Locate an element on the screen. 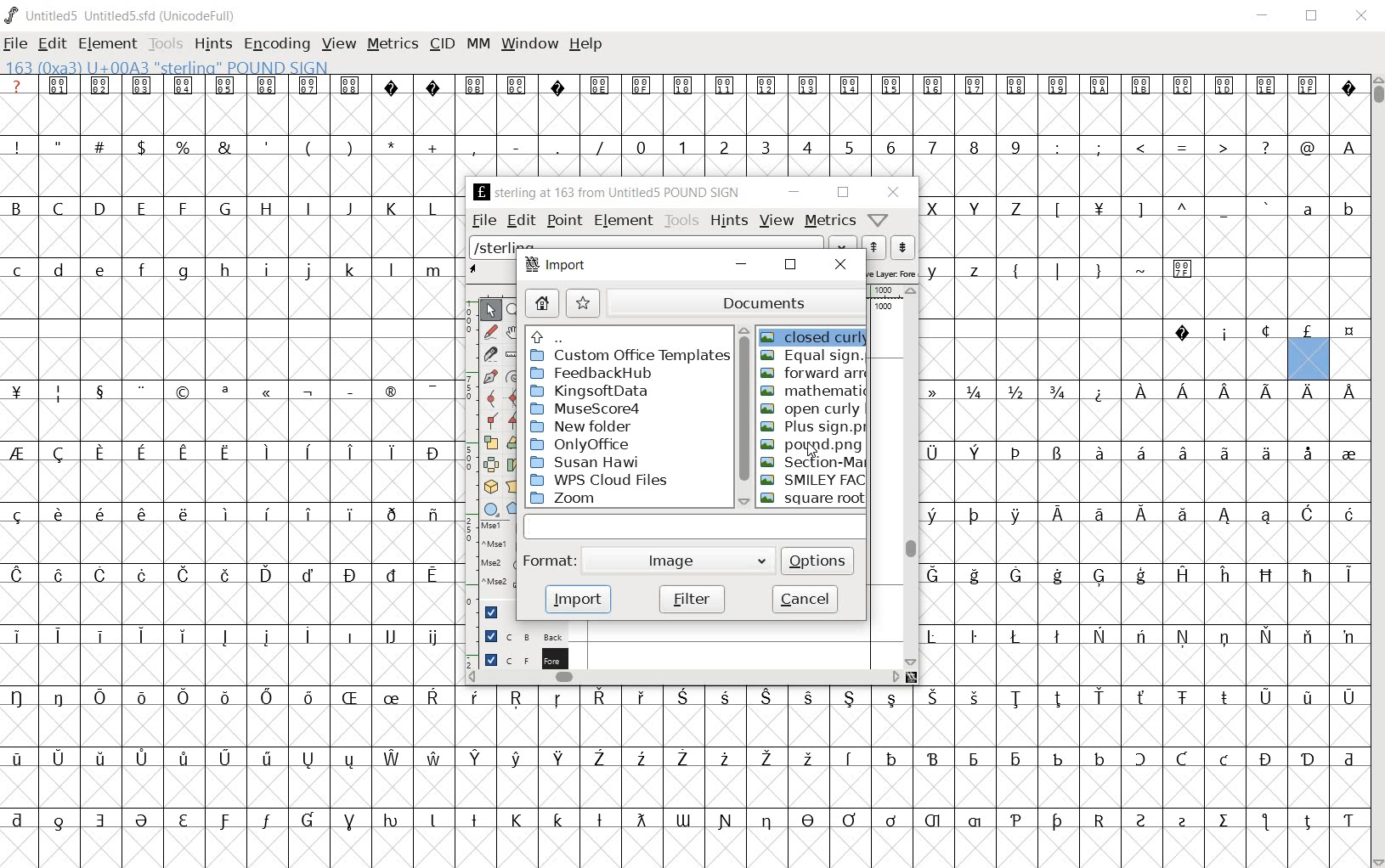 The height and width of the screenshot is (868, 1385). 1/4 is located at coordinates (974, 392).